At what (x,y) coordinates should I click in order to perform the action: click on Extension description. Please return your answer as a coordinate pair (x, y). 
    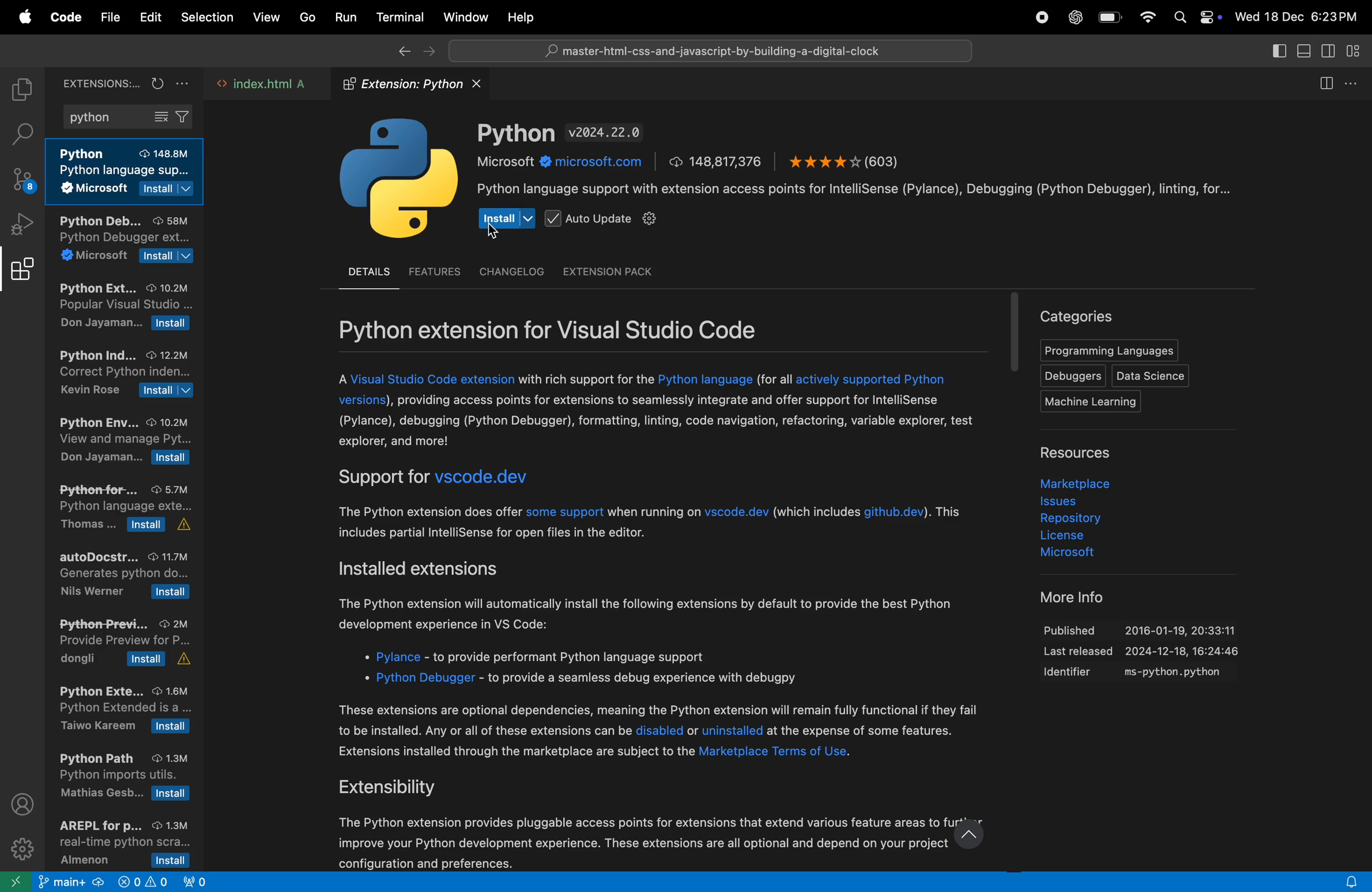
    Looking at the image, I should click on (665, 618).